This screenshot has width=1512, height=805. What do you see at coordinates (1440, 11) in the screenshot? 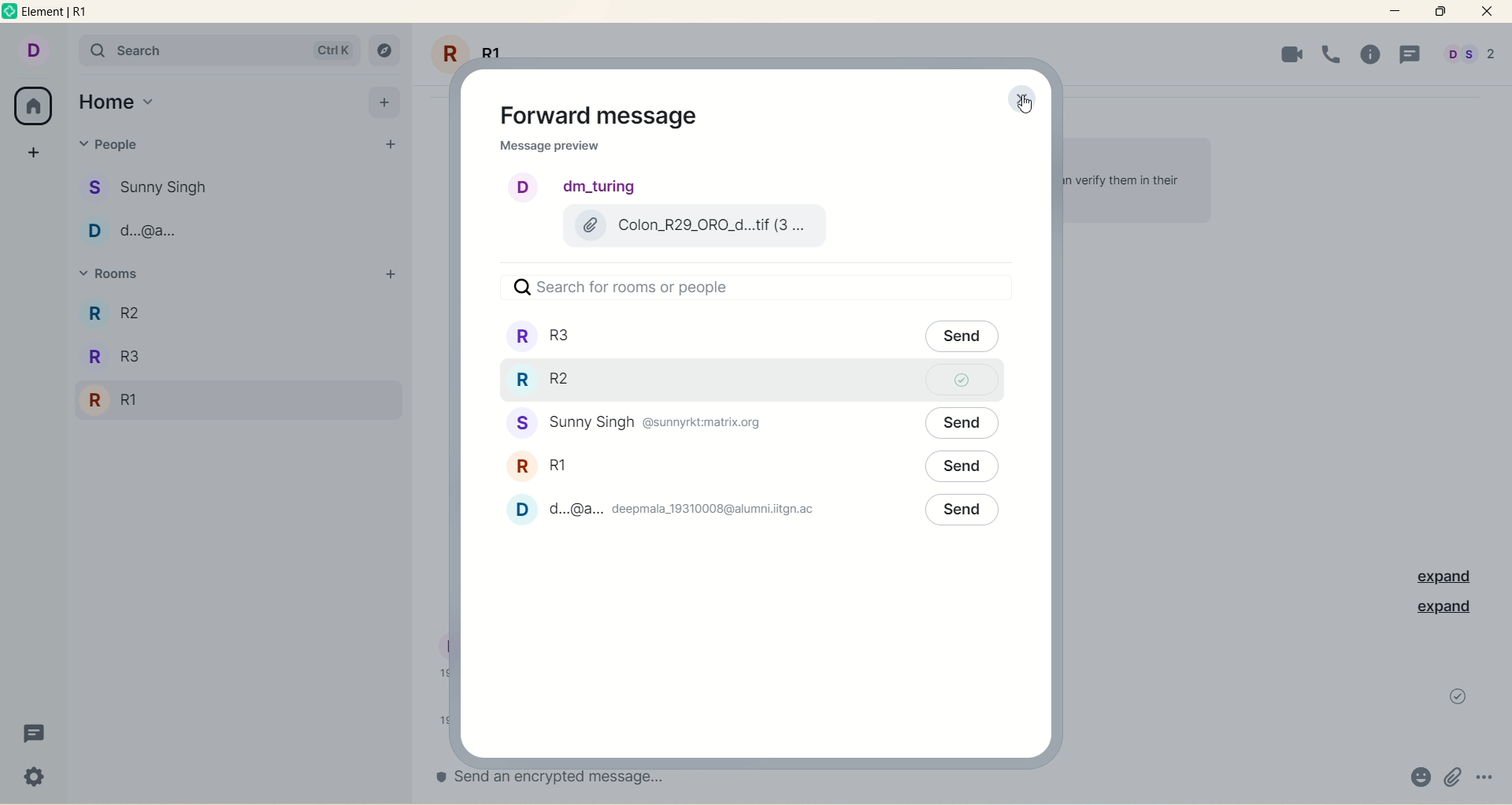
I see `maximize` at bounding box center [1440, 11].